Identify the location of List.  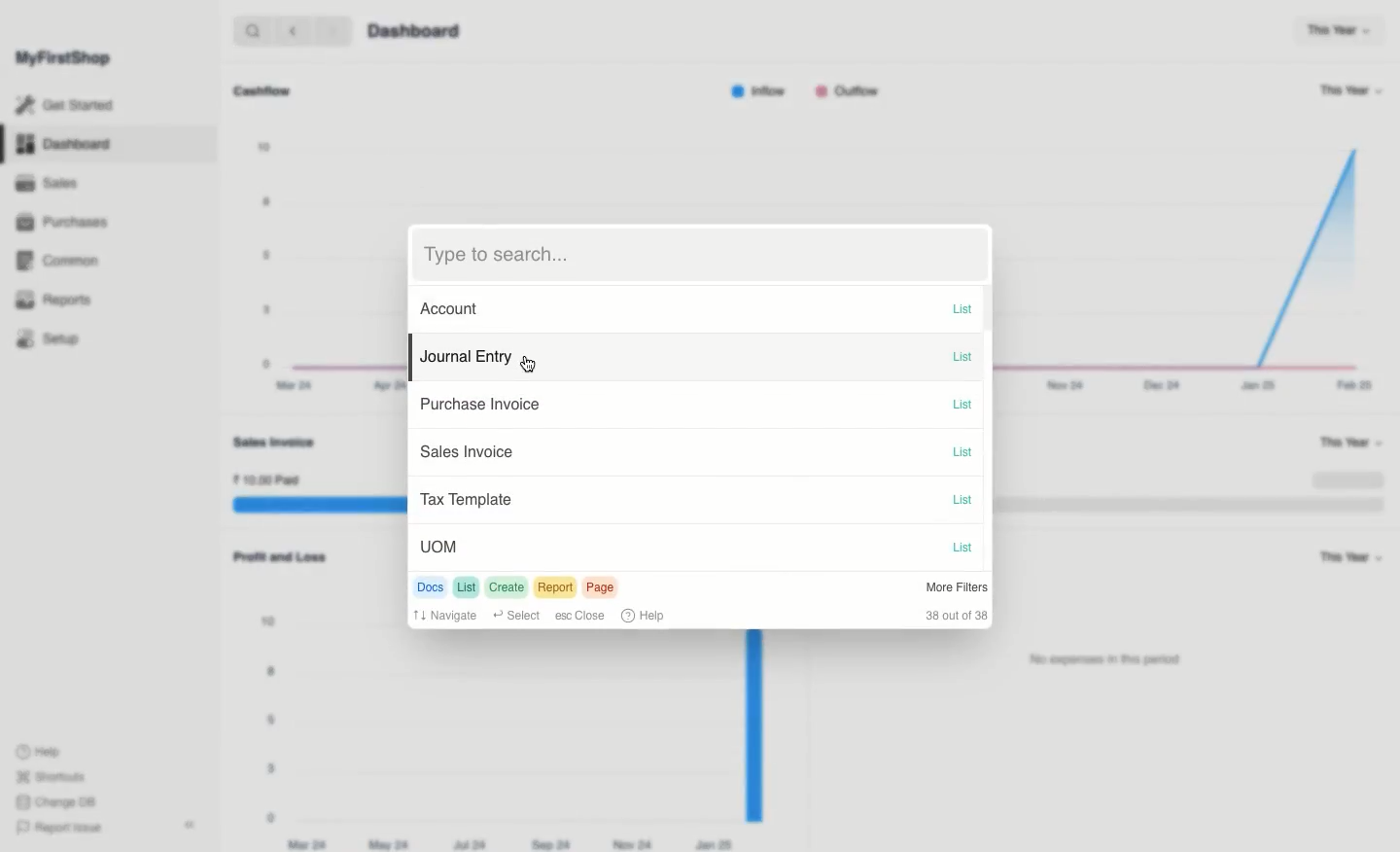
(962, 550).